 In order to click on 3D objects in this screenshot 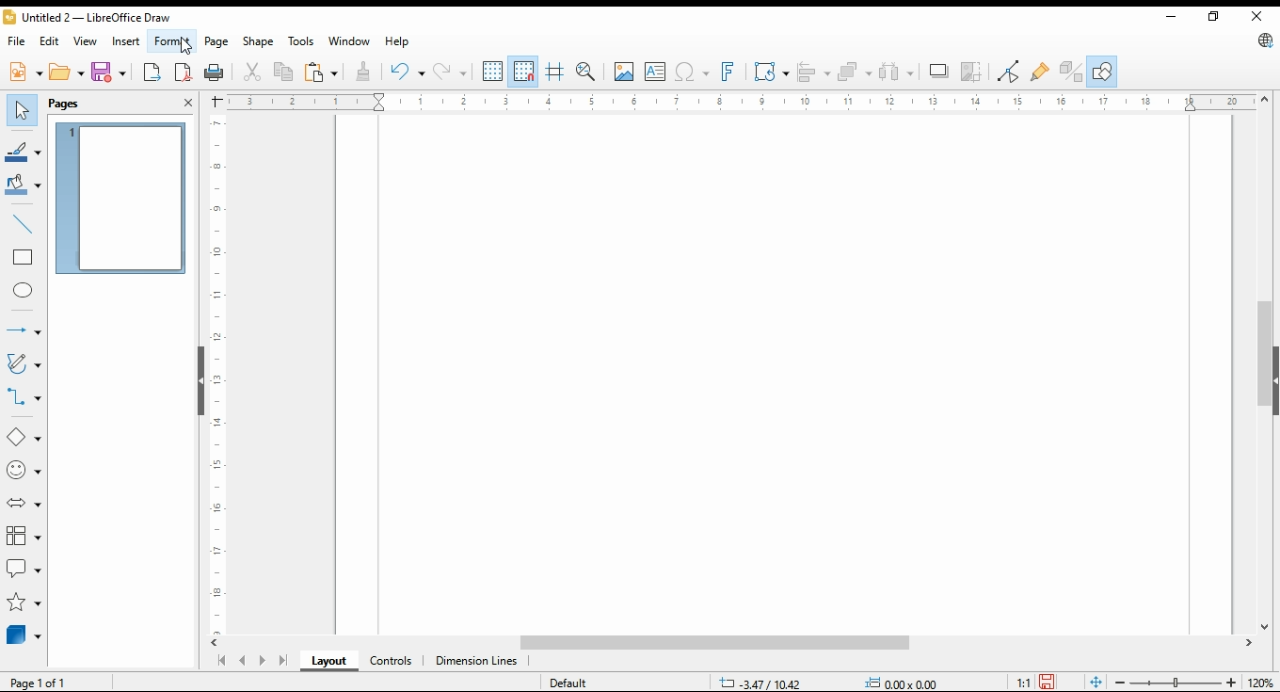, I will do `click(25, 634)`.